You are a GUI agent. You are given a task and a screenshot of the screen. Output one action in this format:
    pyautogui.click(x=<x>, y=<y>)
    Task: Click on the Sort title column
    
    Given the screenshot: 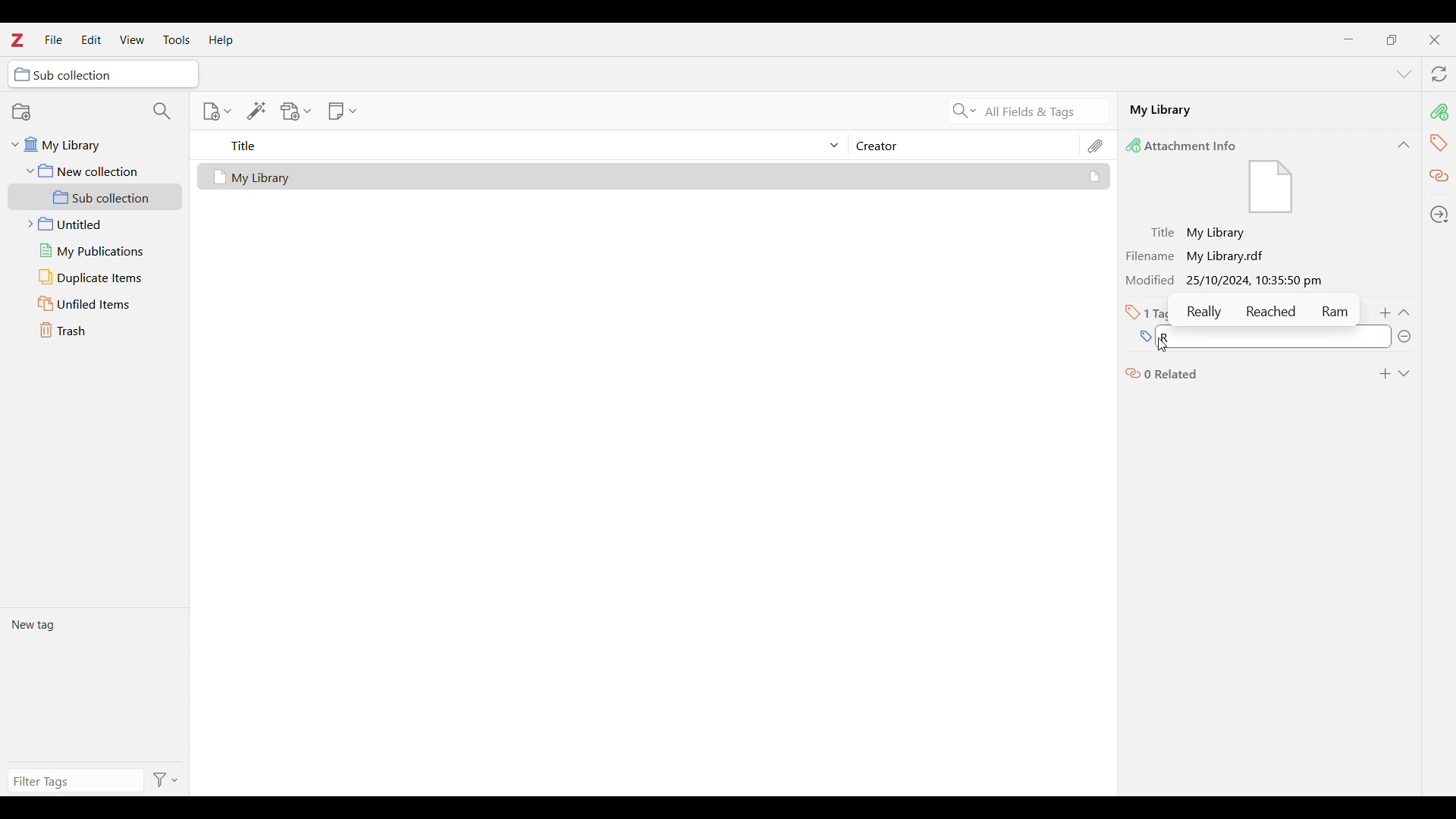 What is the action you would take?
    pyautogui.click(x=528, y=145)
    